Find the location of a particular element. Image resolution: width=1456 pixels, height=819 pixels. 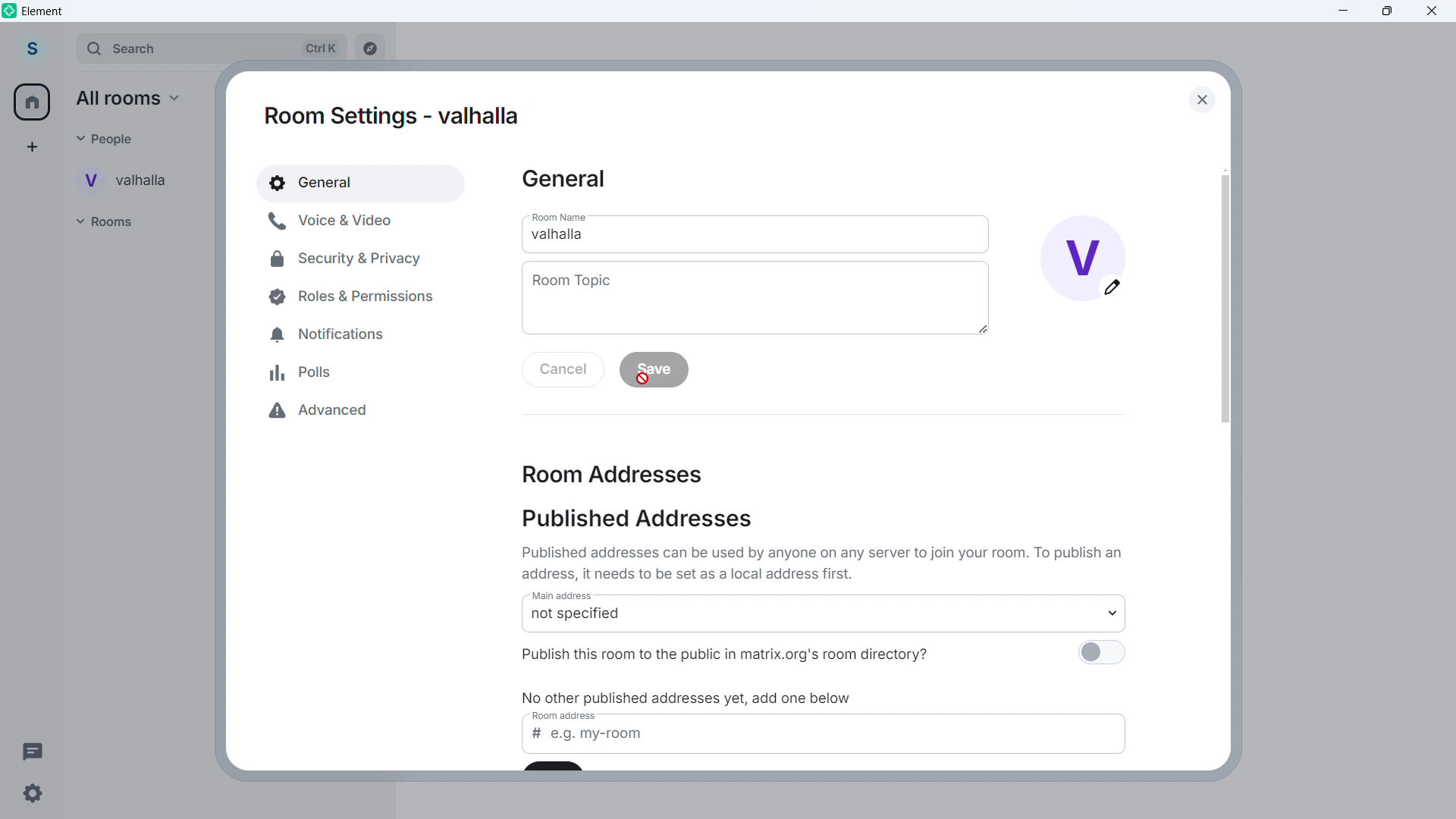

element logo is located at coordinates (10, 10).